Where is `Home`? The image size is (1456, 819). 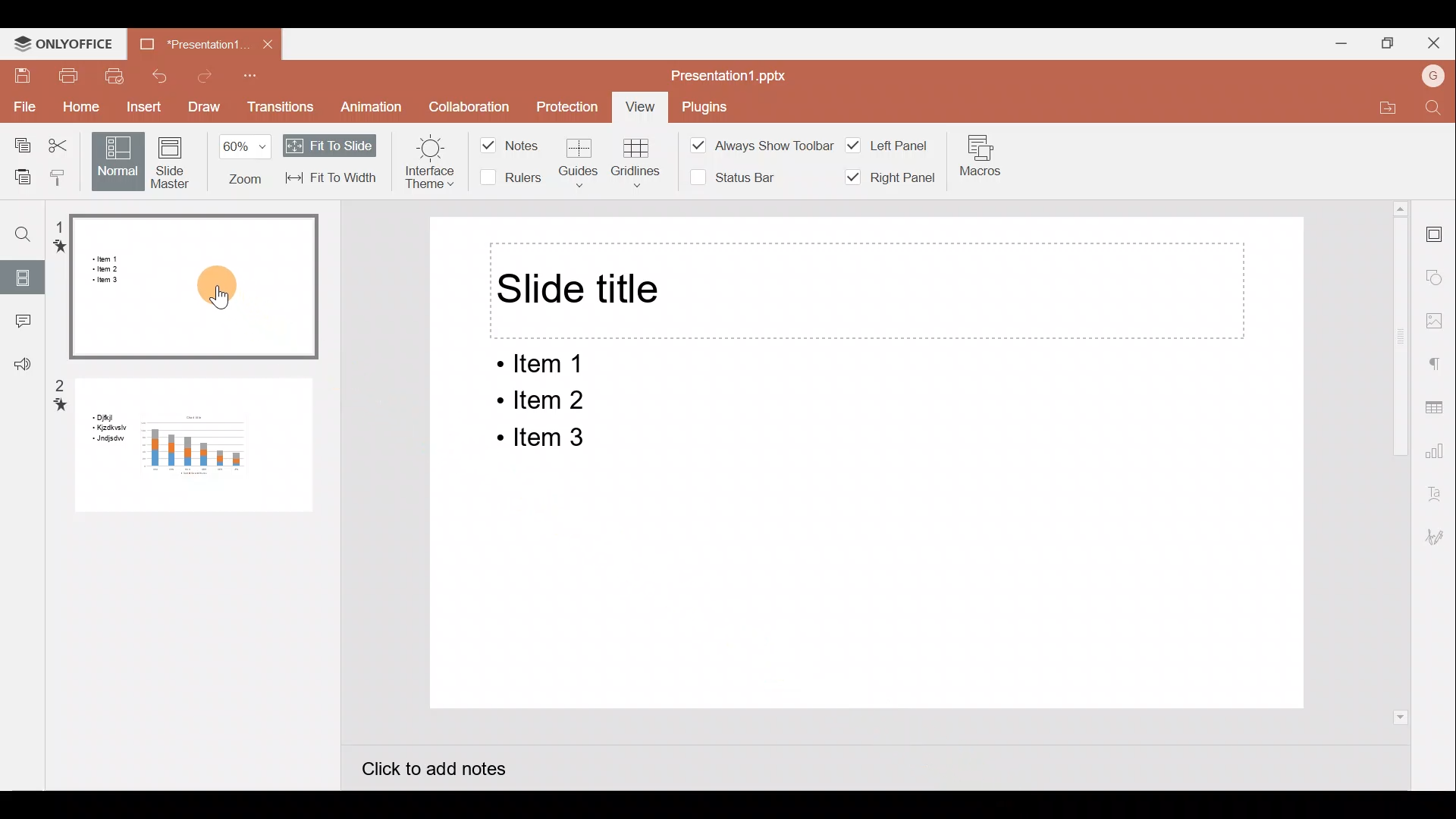
Home is located at coordinates (80, 107).